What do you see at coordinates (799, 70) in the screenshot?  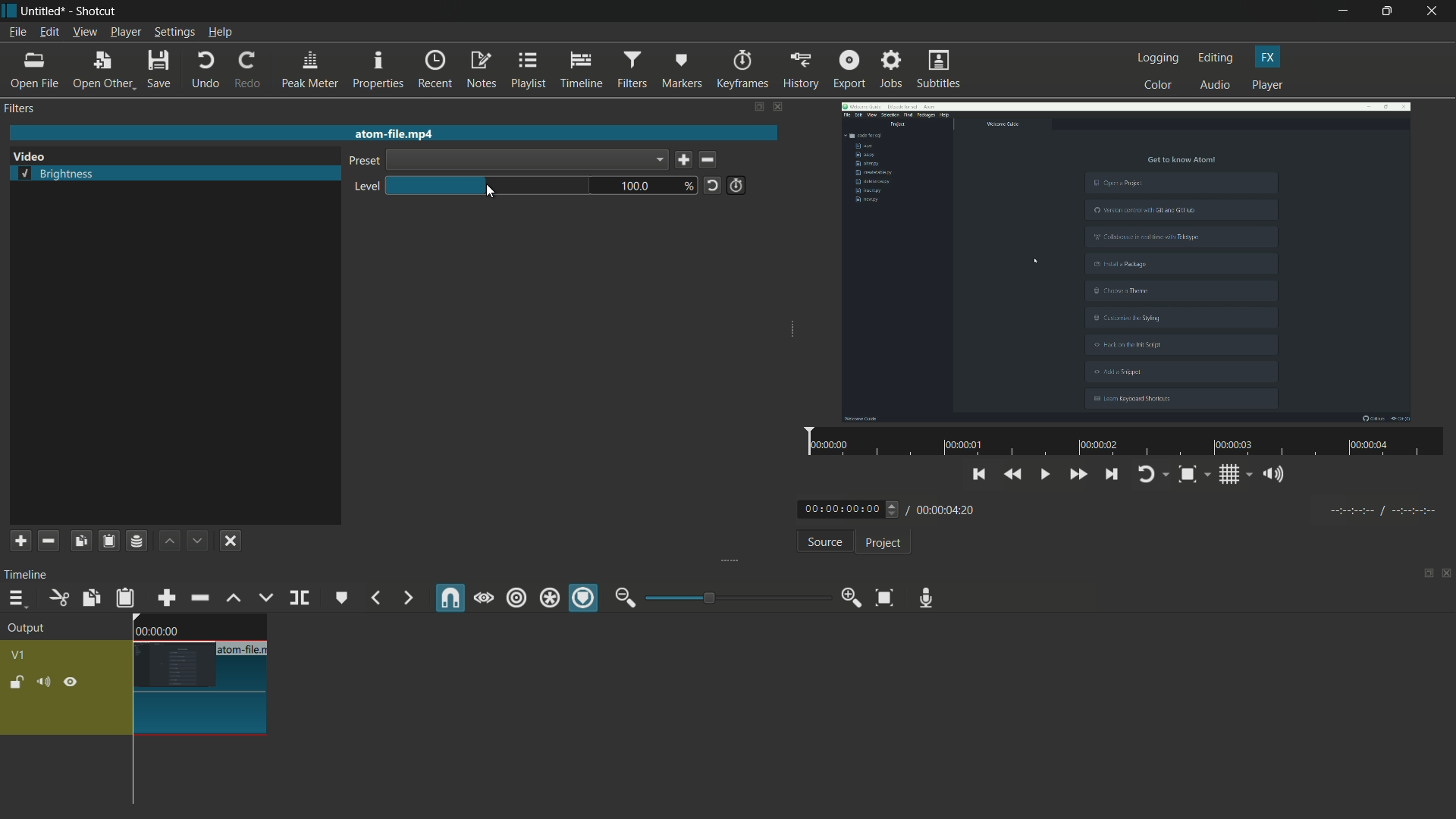 I see `history` at bounding box center [799, 70].